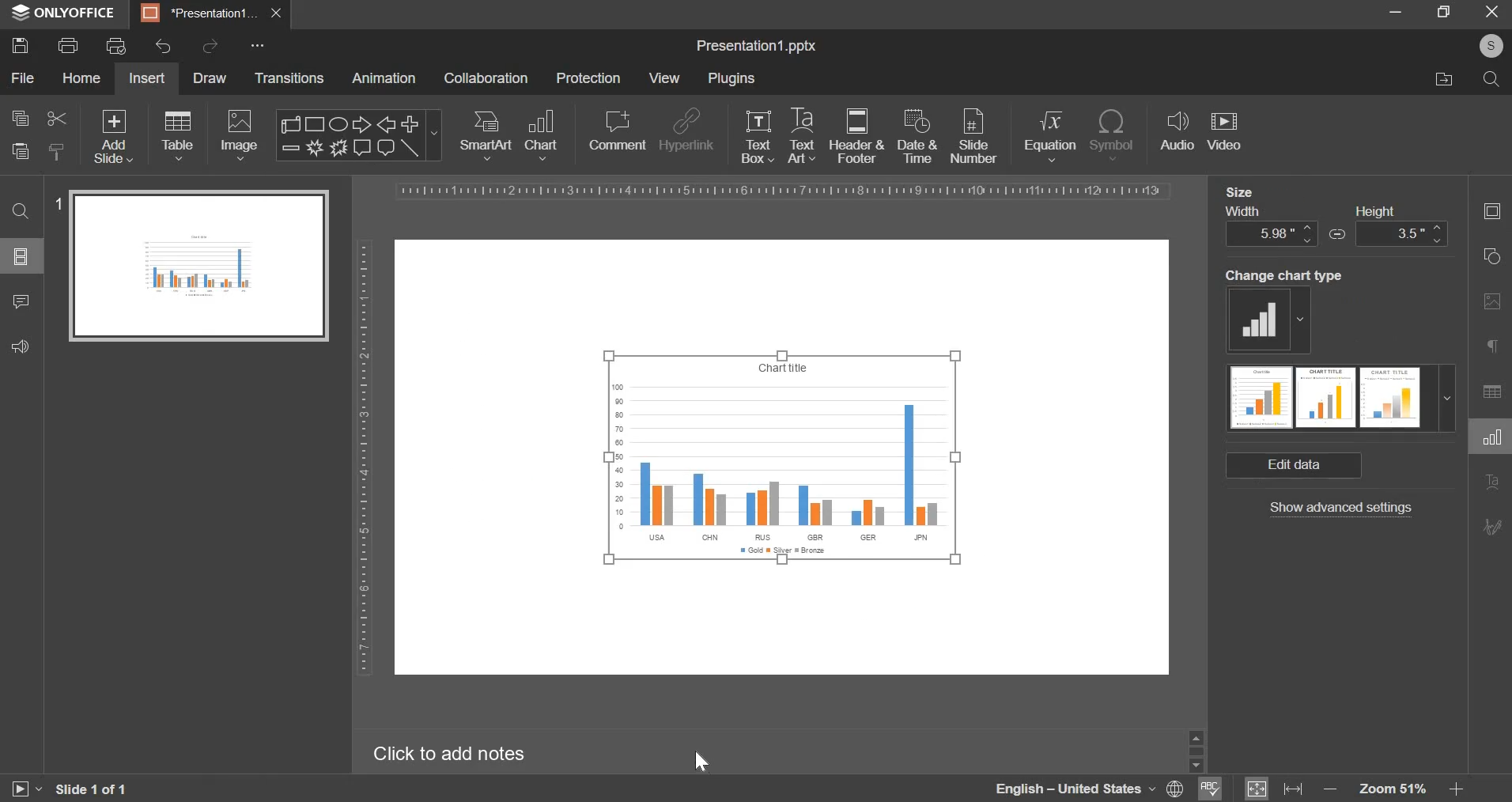 This screenshot has width=1512, height=802. What do you see at coordinates (22, 78) in the screenshot?
I see `file` at bounding box center [22, 78].